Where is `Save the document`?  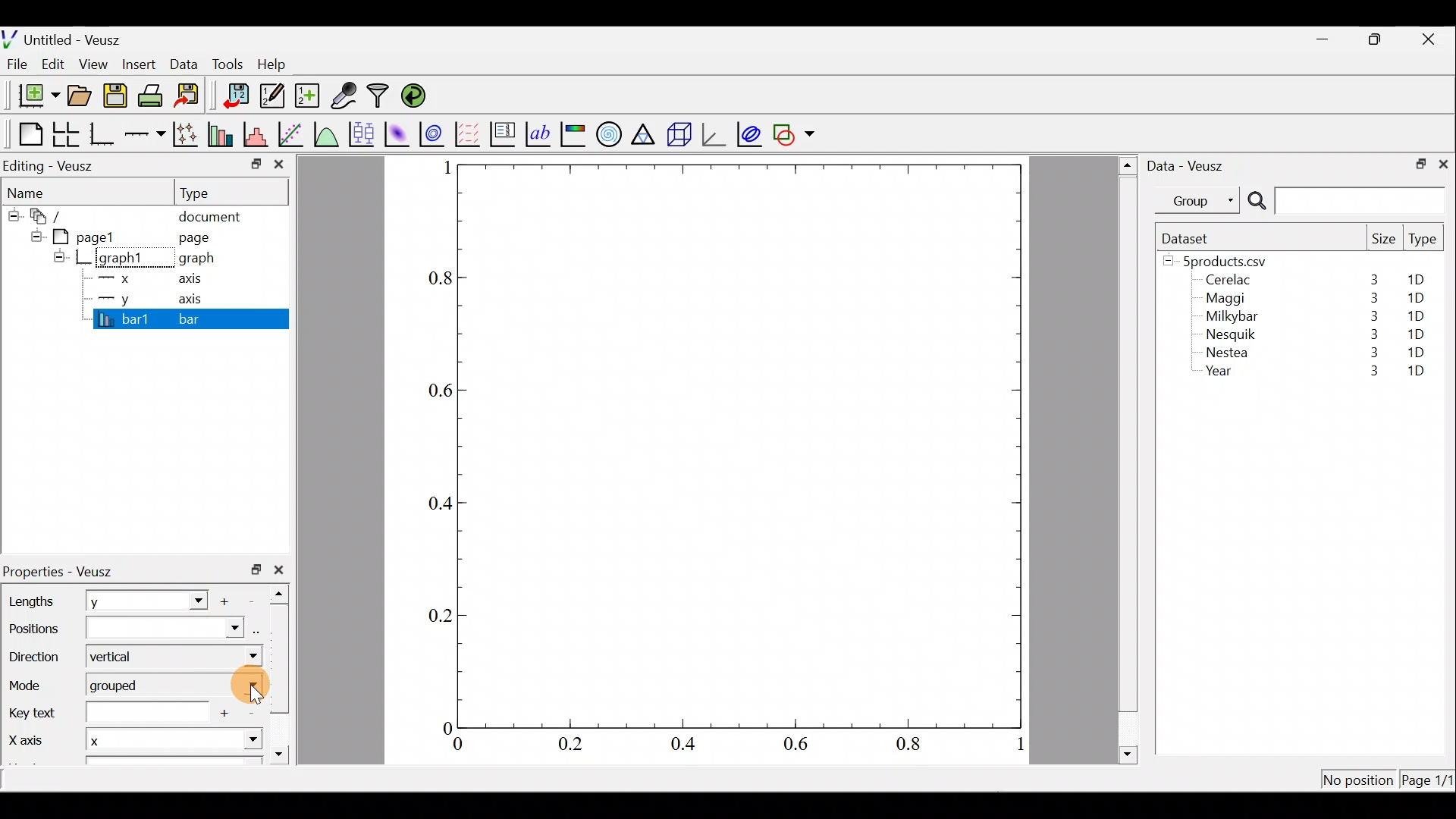
Save the document is located at coordinates (117, 99).